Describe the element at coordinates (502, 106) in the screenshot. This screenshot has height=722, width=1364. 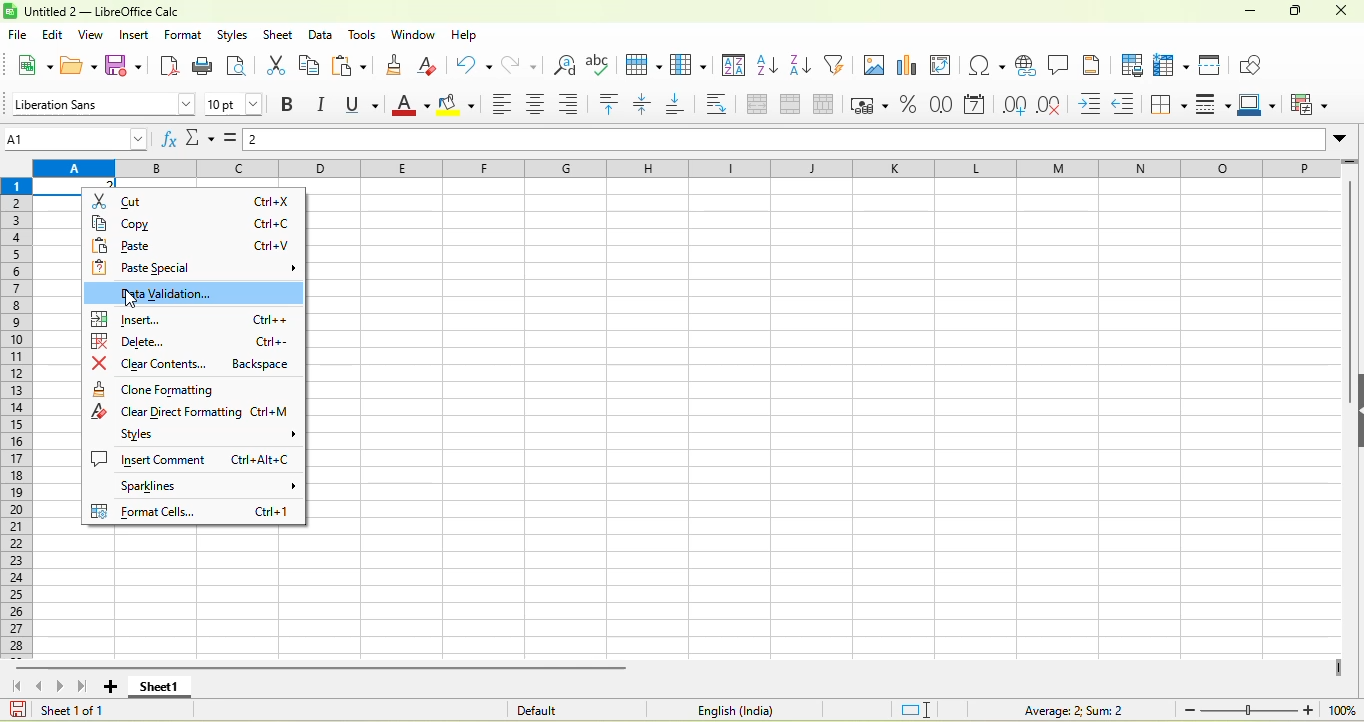
I see `align left` at that location.